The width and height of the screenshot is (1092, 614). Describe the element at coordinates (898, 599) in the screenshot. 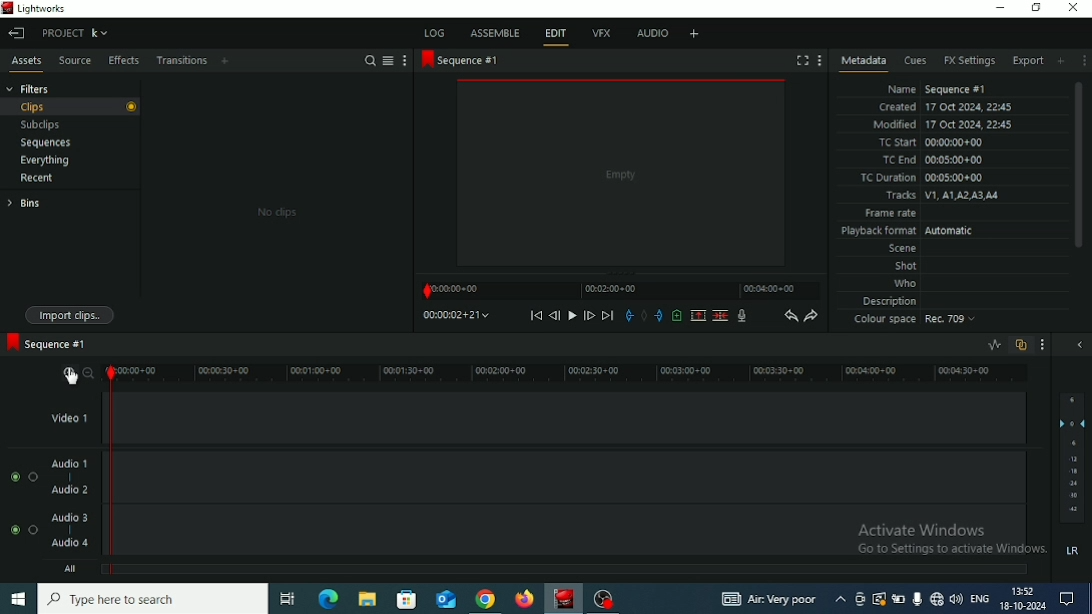

I see `Charging, plugged in` at that location.